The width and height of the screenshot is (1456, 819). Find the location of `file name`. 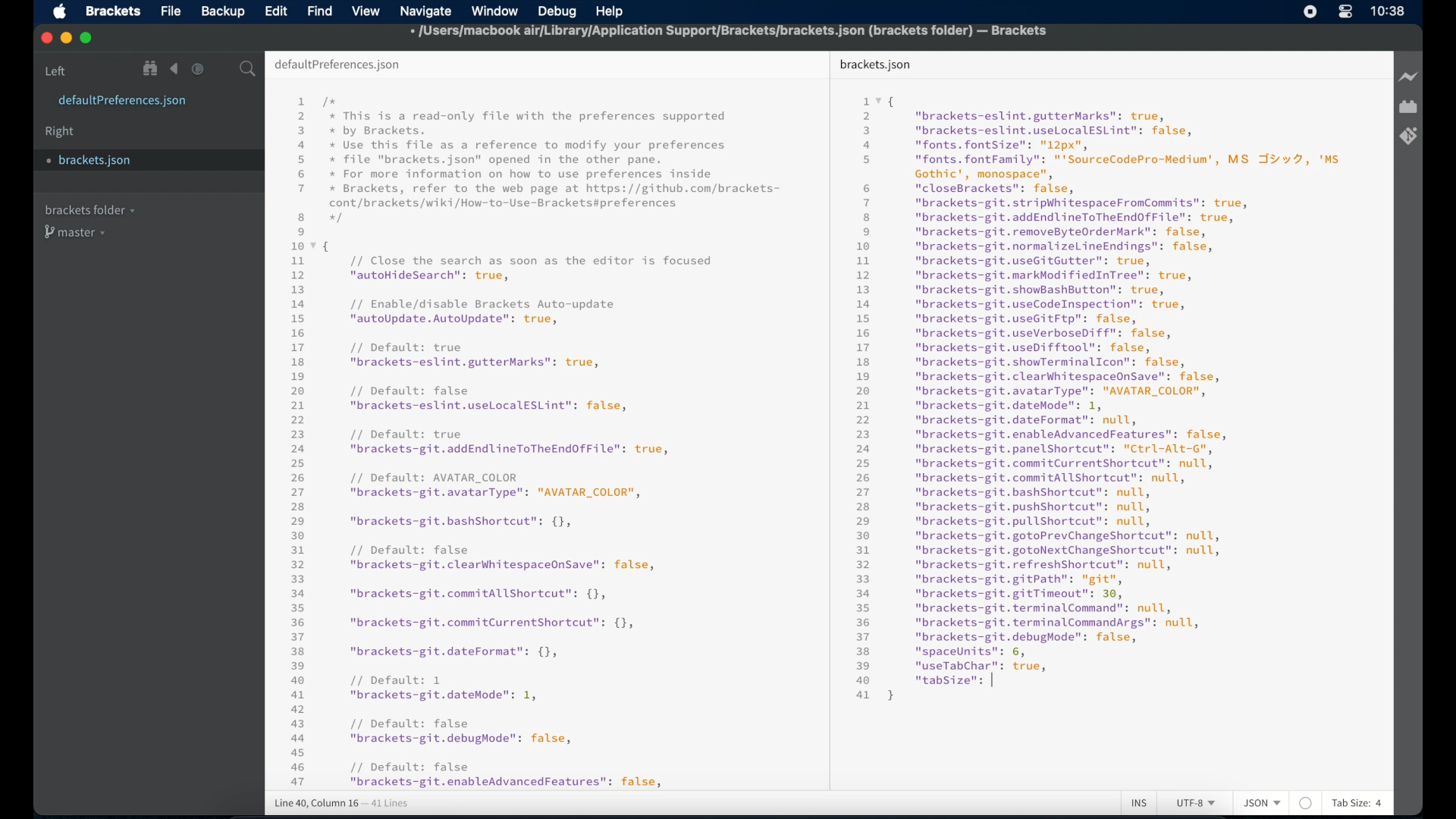

file name is located at coordinates (730, 33).